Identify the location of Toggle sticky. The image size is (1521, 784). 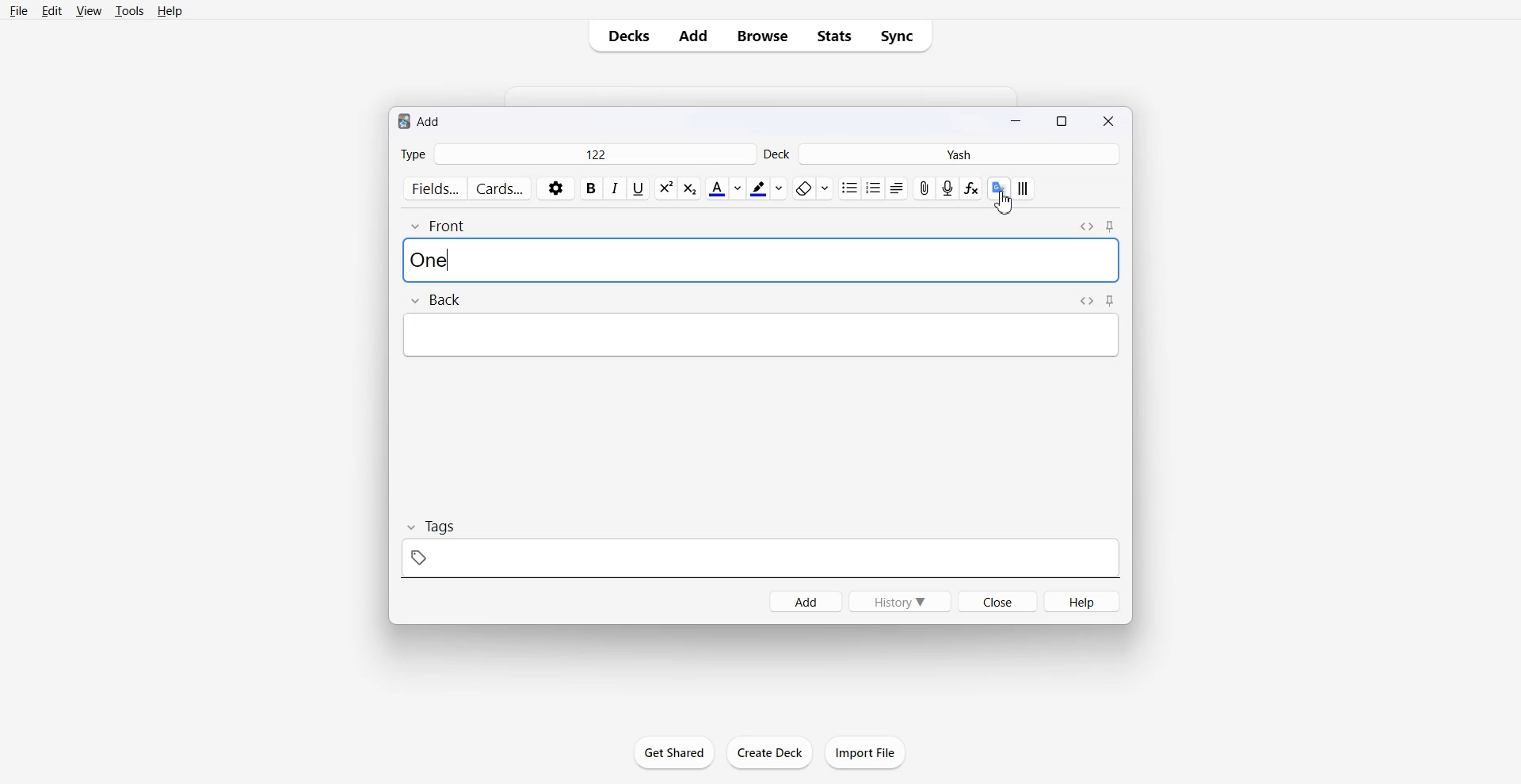
(1111, 301).